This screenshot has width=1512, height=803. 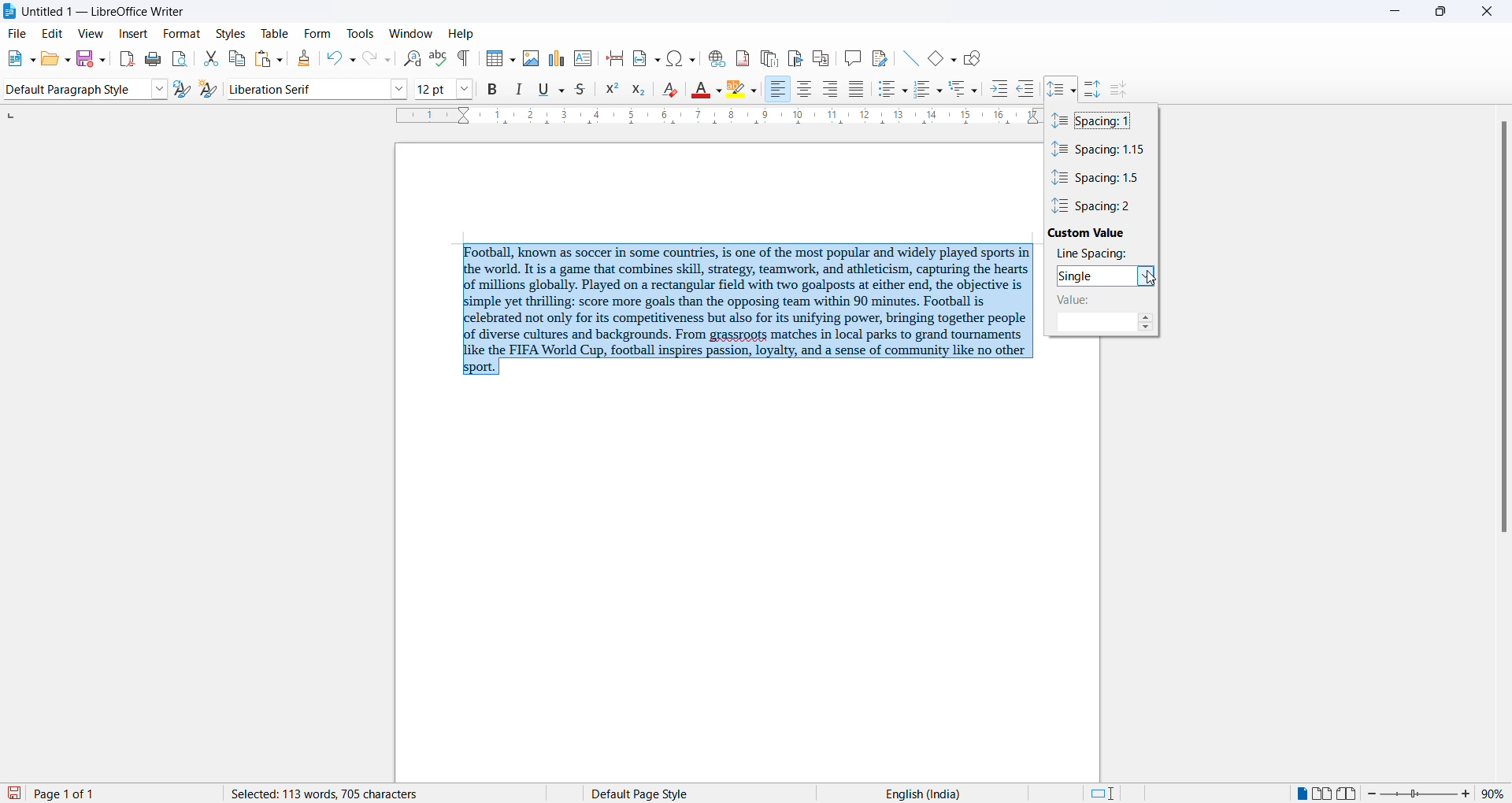 What do you see at coordinates (126, 792) in the screenshot?
I see `total and current page` at bounding box center [126, 792].